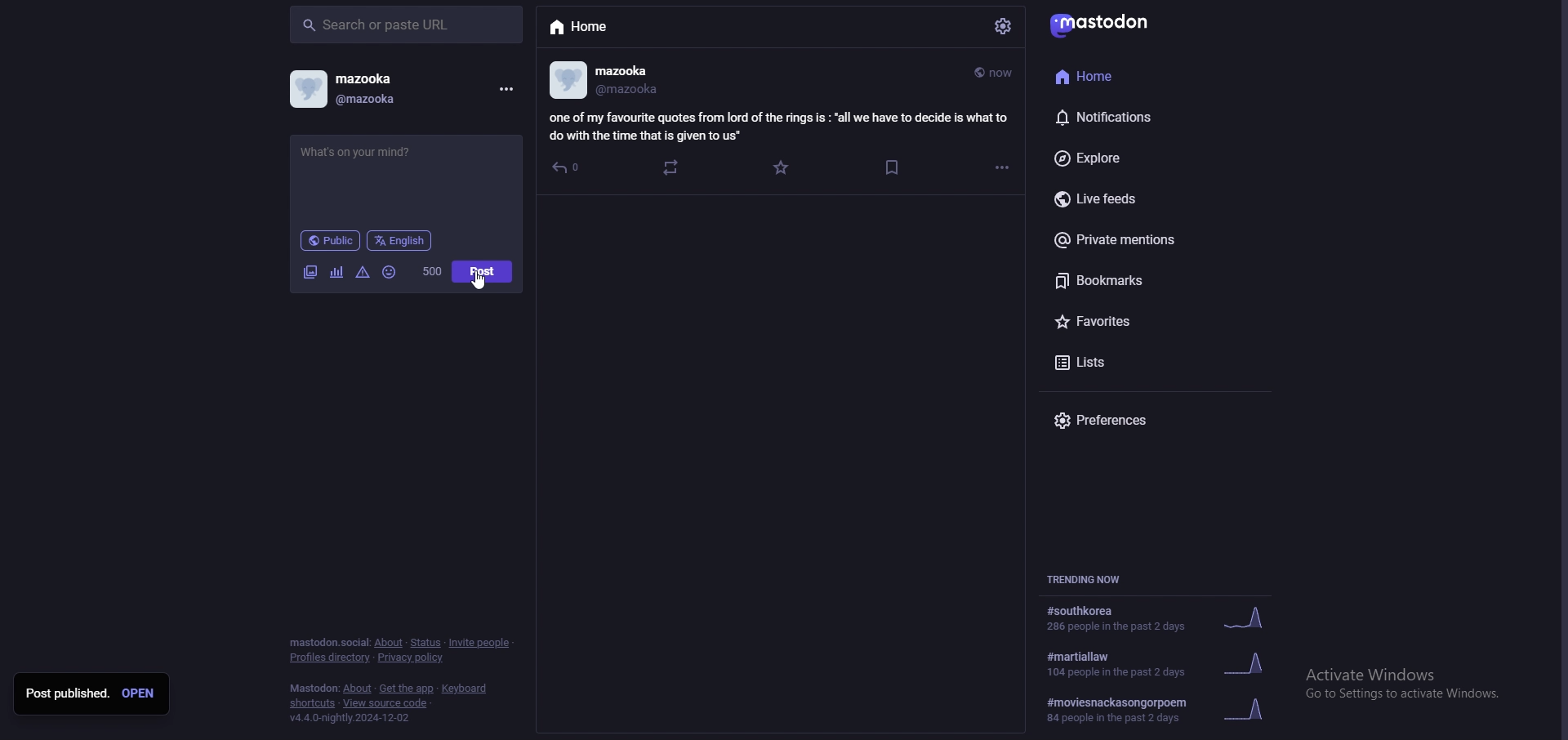 This screenshot has height=740, width=1568. Describe the element at coordinates (1124, 200) in the screenshot. I see `live feeds` at that location.